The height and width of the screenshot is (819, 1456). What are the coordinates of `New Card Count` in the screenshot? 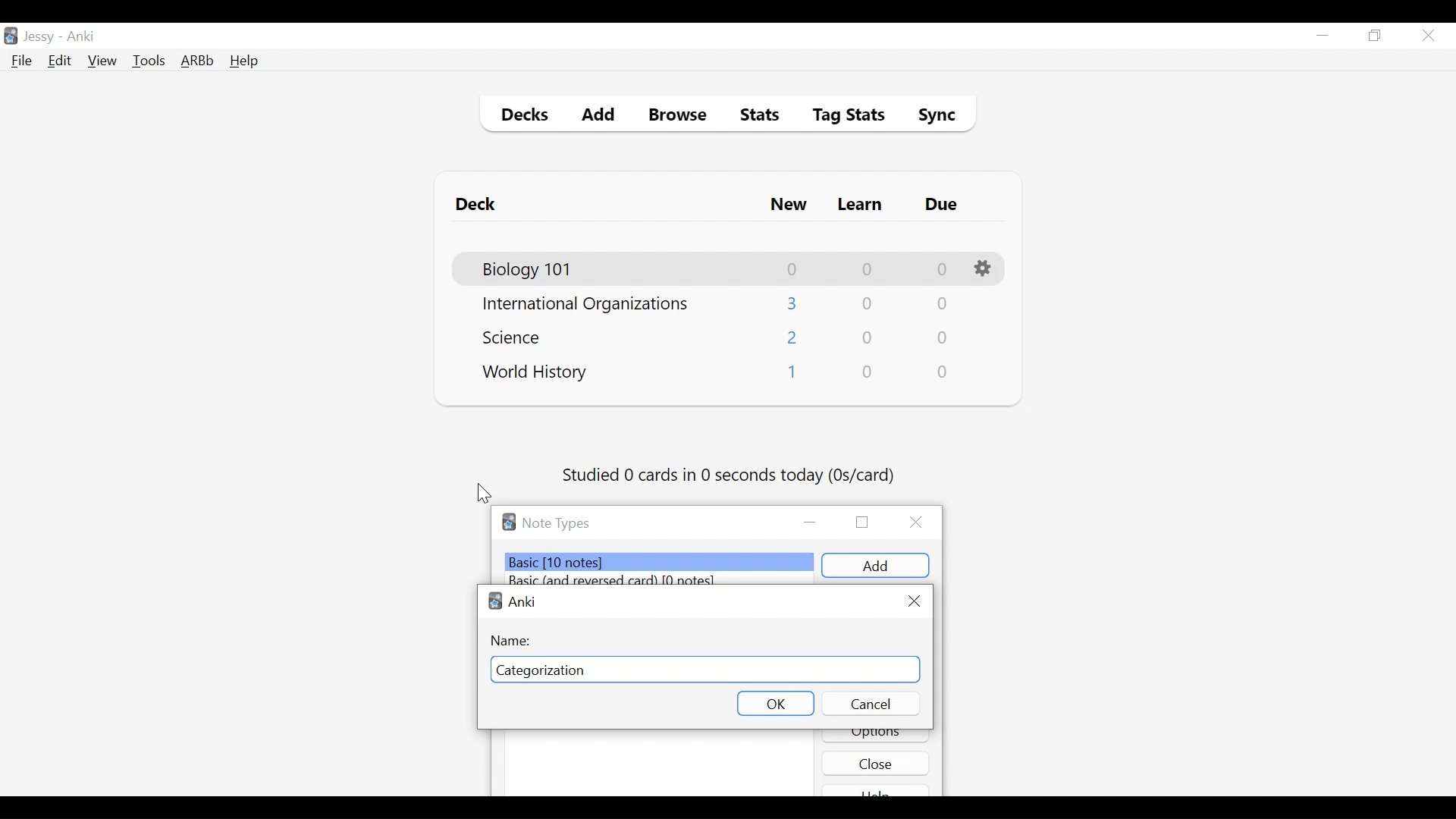 It's located at (793, 339).